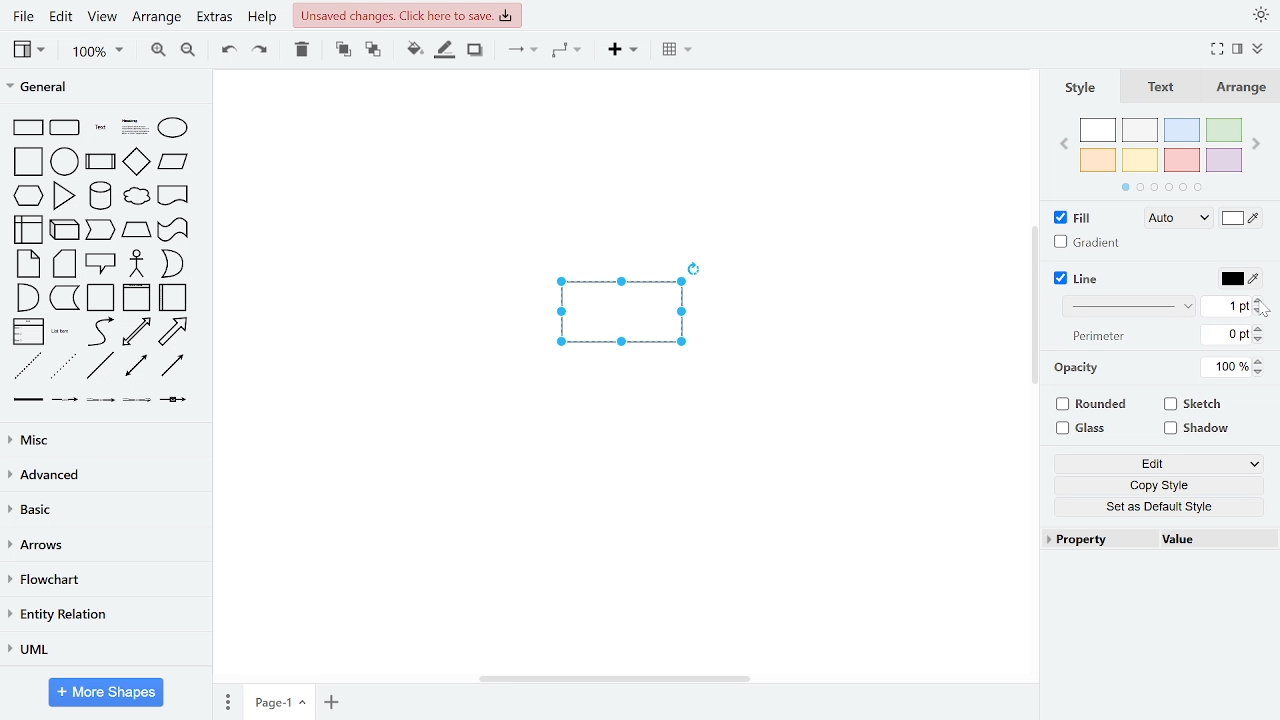 This screenshot has width=1280, height=720. Describe the element at coordinates (1242, 219) in the screenshot. I see `fill color` at that location.